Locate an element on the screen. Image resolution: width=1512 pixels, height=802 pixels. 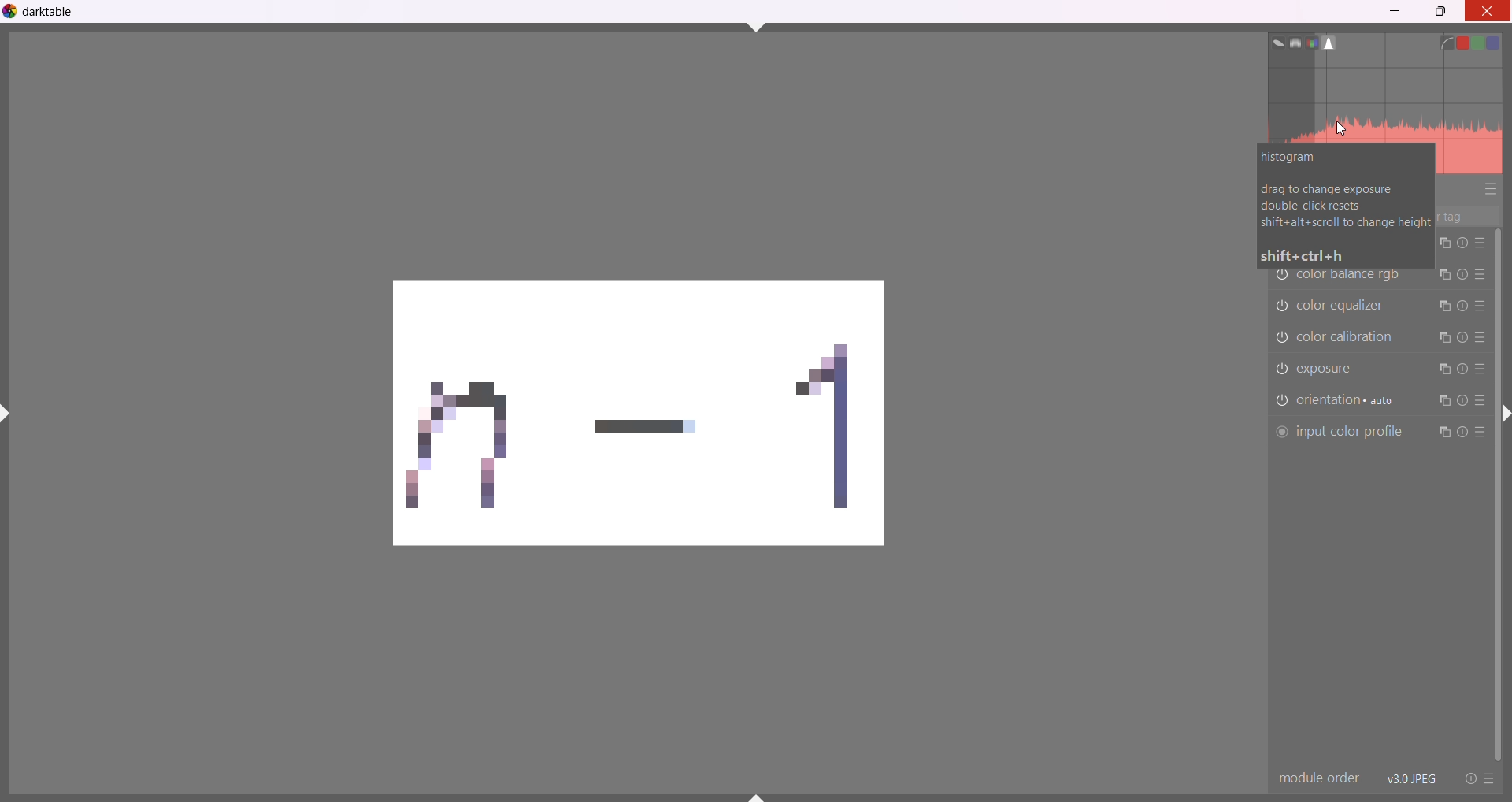
color balance rgb switched off is located at coordinates (1280, 277).